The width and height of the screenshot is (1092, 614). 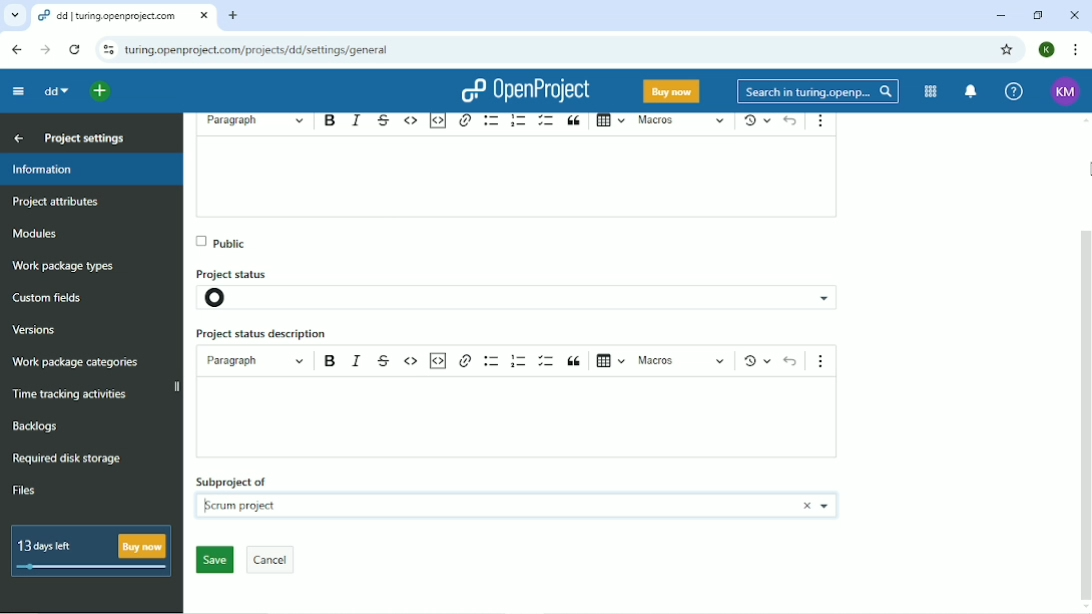 I want to click on Project status description, so click(x=263, y=332).